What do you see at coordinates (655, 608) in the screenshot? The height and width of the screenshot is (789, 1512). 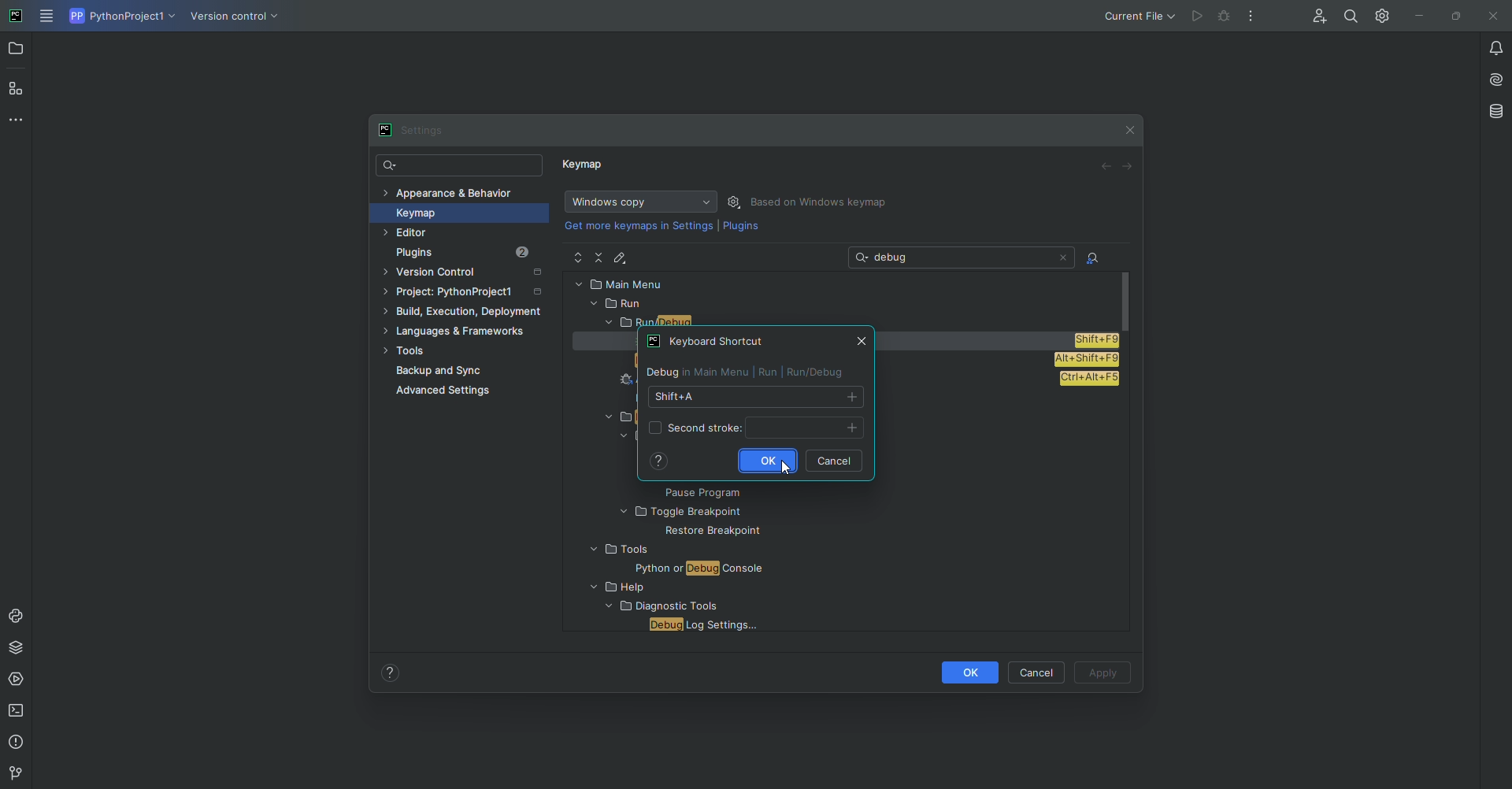 I see `FOLDER NAME` at bounding box center [655, 608].